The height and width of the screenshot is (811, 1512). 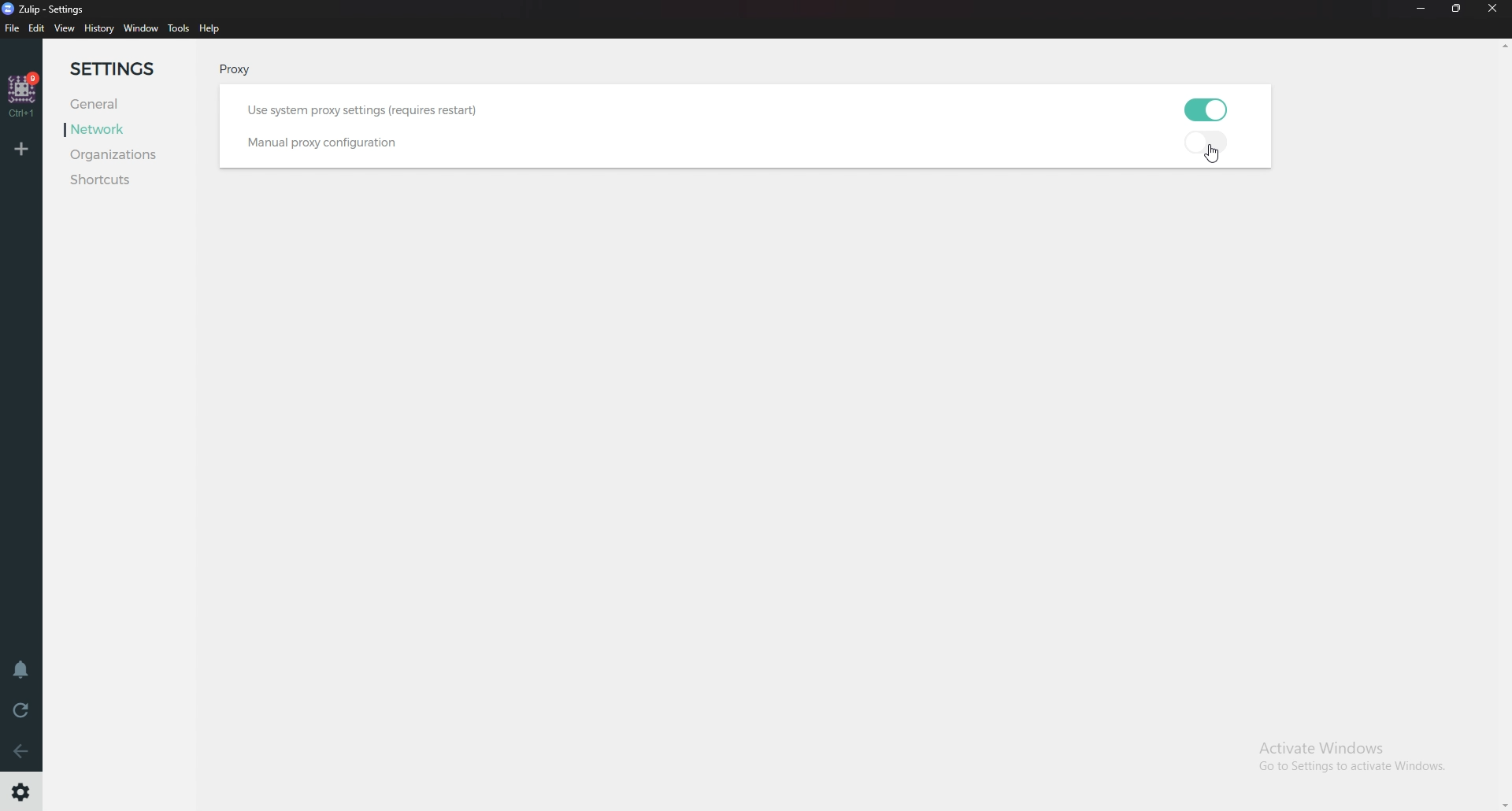 What do you see at coordinates (140, 29) in the screenshot?
I see `Window` at bounding box center [140, 29].